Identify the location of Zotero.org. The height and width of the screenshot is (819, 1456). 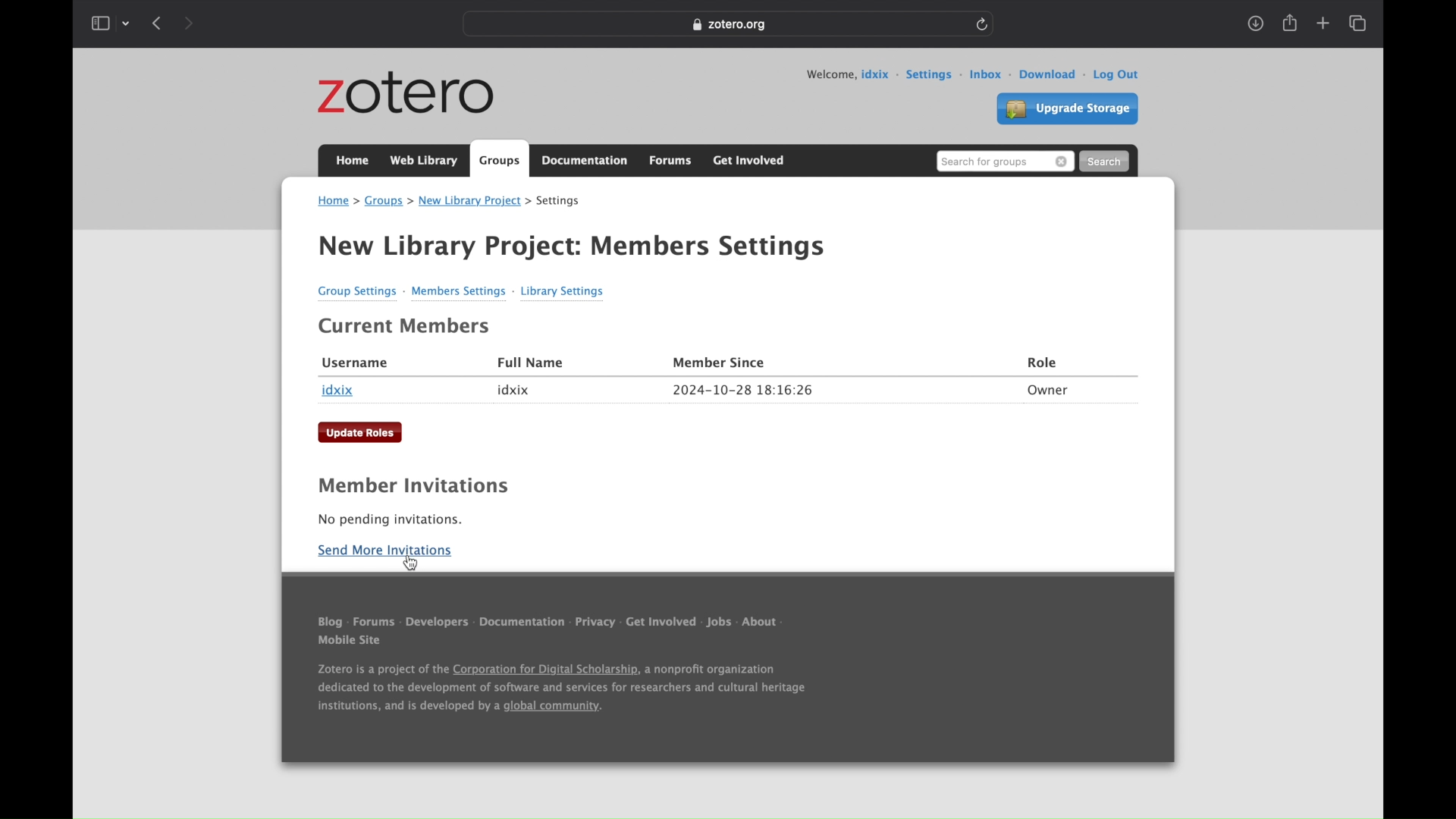
(730, 25).